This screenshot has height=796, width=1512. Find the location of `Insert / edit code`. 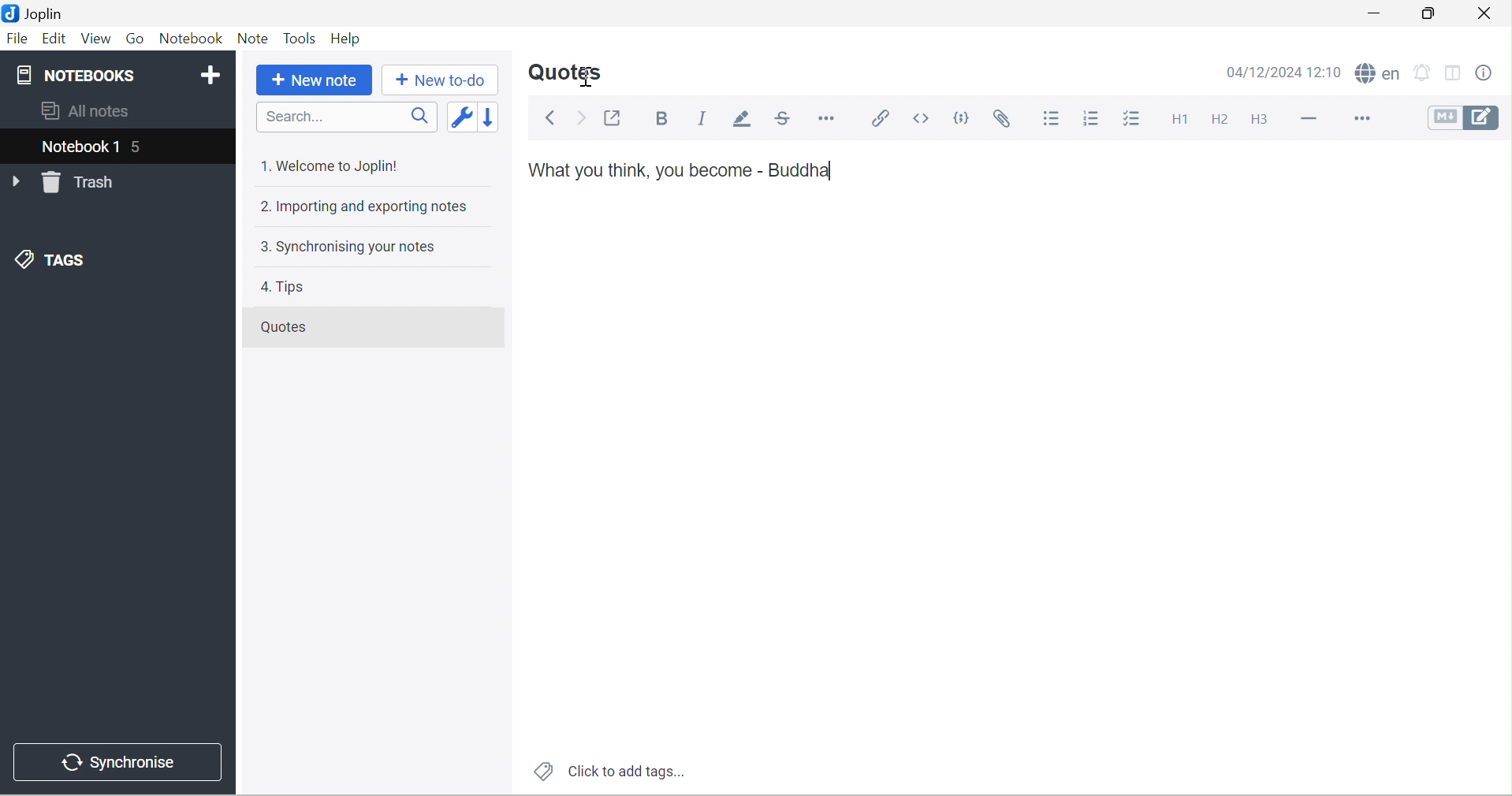

Insert / edit code is located at coordinates (882, 119).